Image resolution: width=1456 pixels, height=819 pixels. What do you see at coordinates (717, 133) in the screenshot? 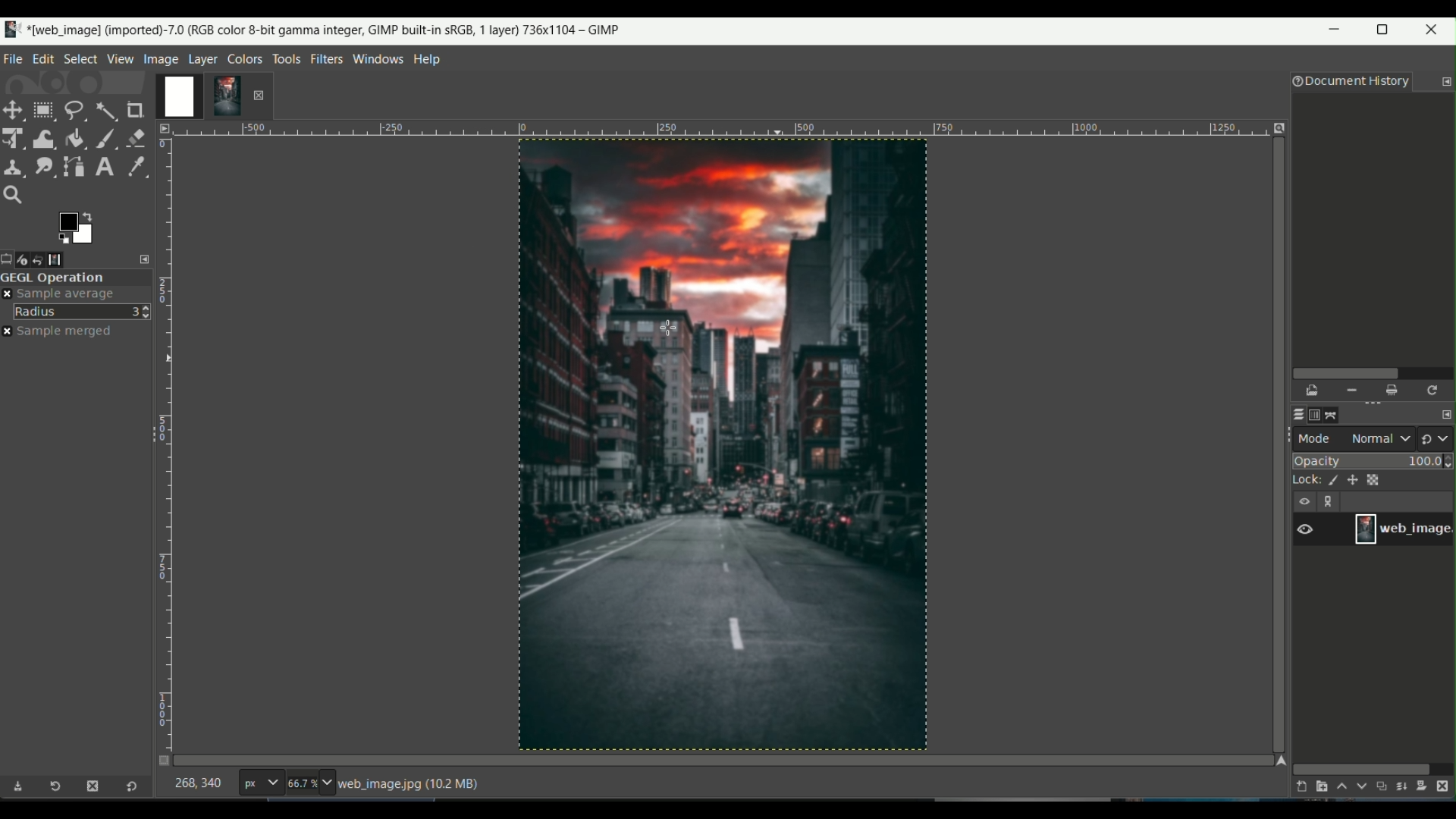
I see `width measuring scale` at bounding box center [717, 133].